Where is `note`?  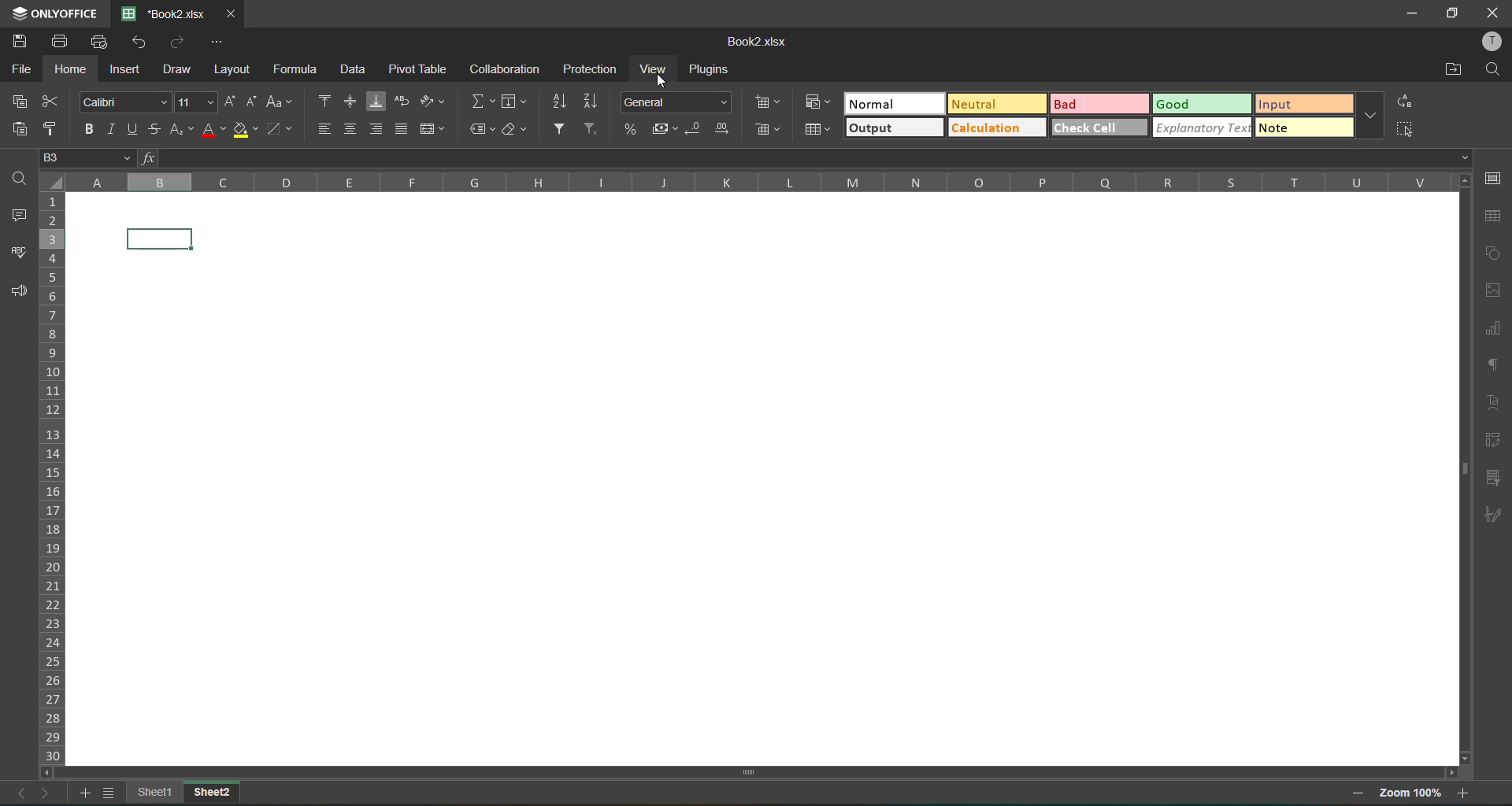
note is located at coordinates (1306, 128).